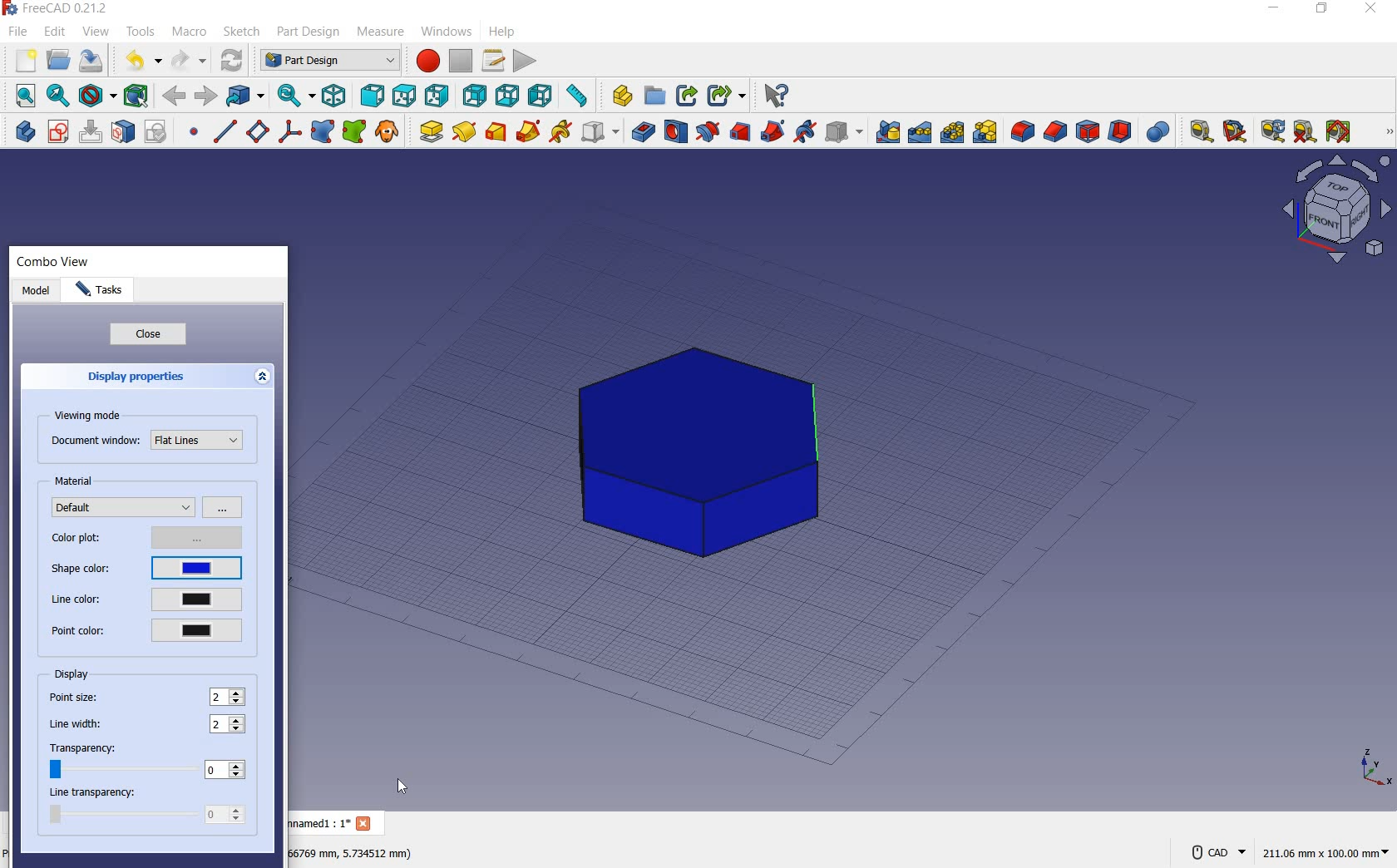  What do you see at coordinates (351, 852) in the screenshot?
I see `66759 mm,5.734512 mm(DIMENSION)` at bounding box center [351, 852].